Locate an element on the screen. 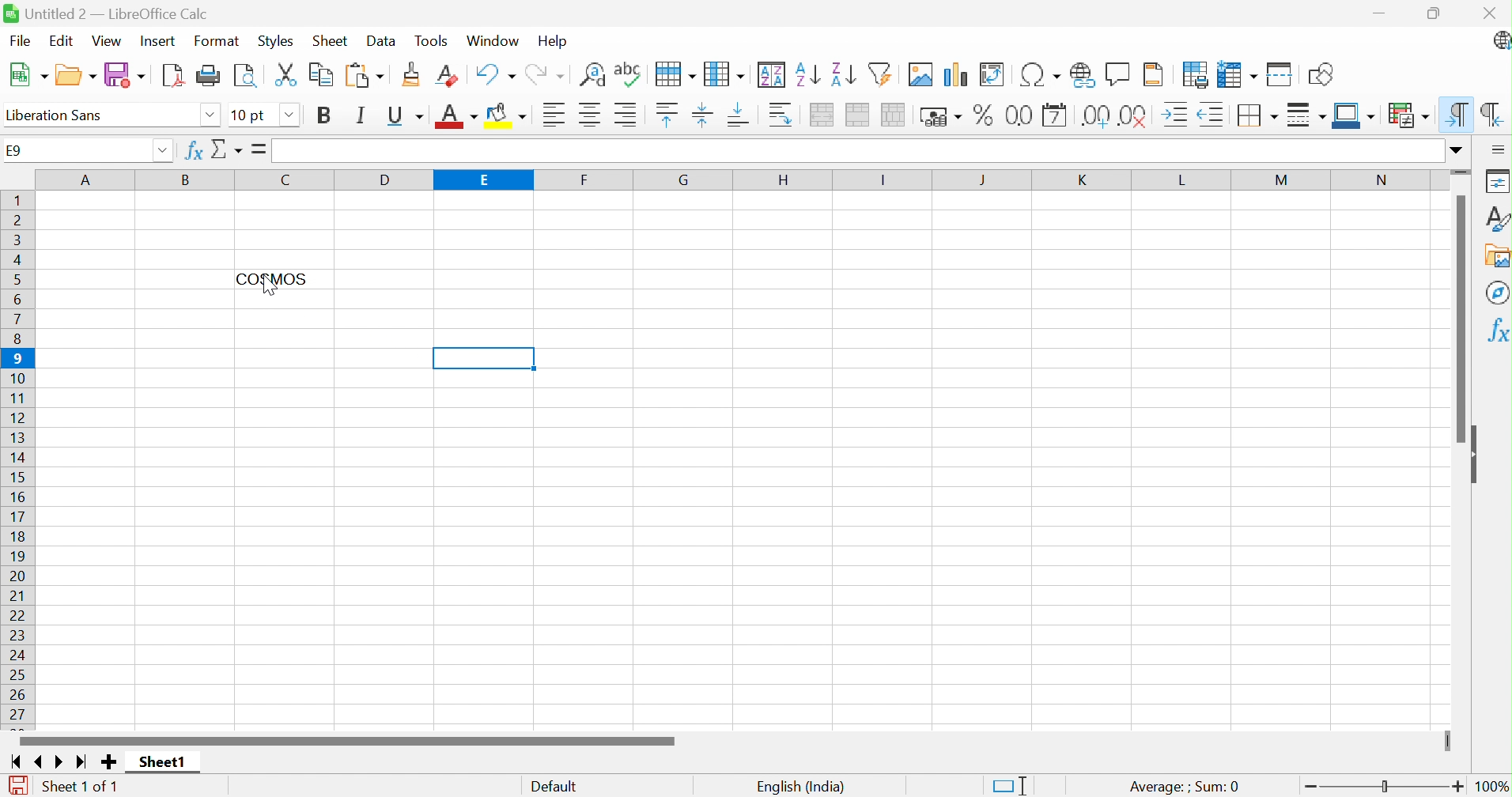 Image resolution: width=1512 pixels, height=797 pixels. Formula is located at coordinates (256, 149).